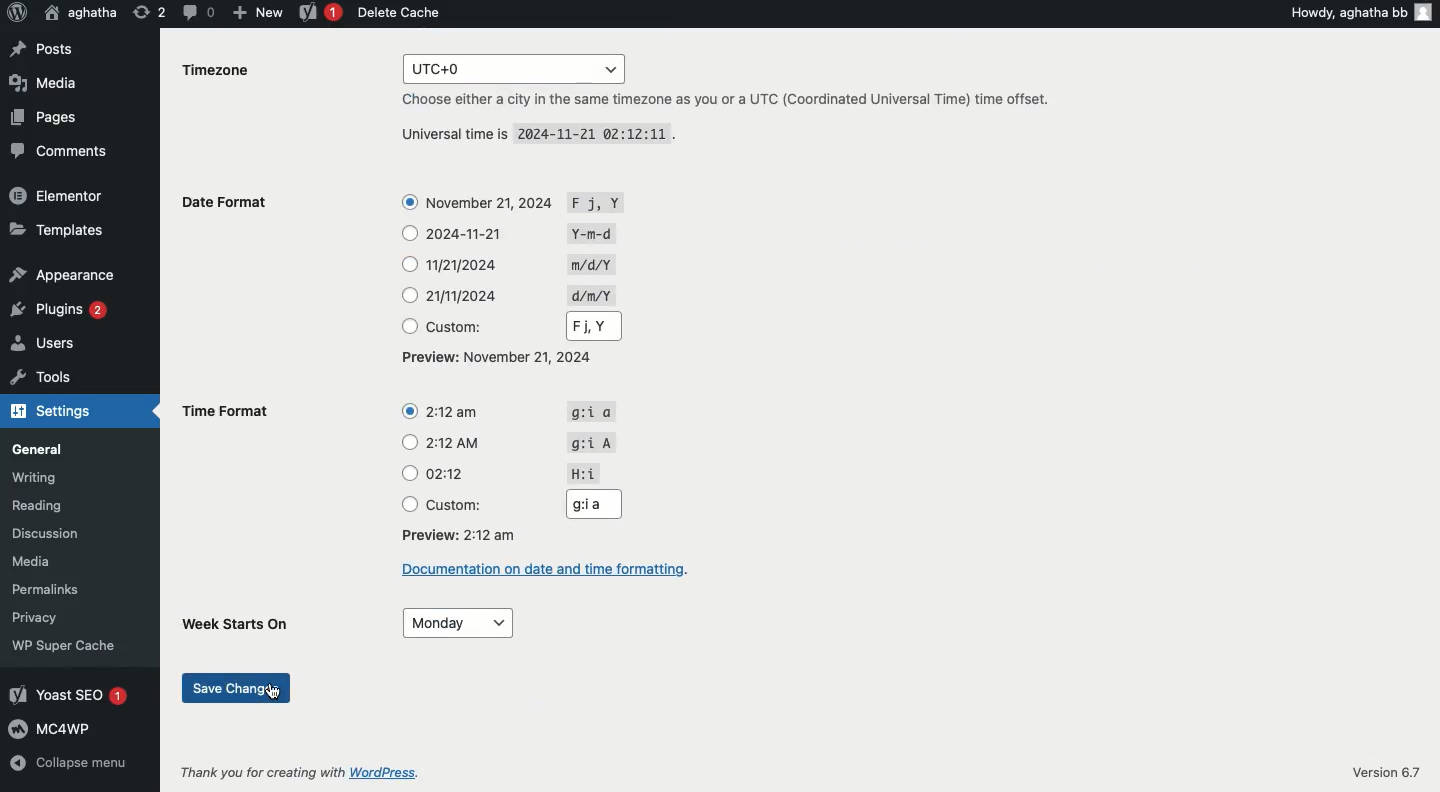 This screenshot has width=1440, height=792. Describe the element at coordinates (60, 193) in the screenshot. I see `Elementor` at that location.